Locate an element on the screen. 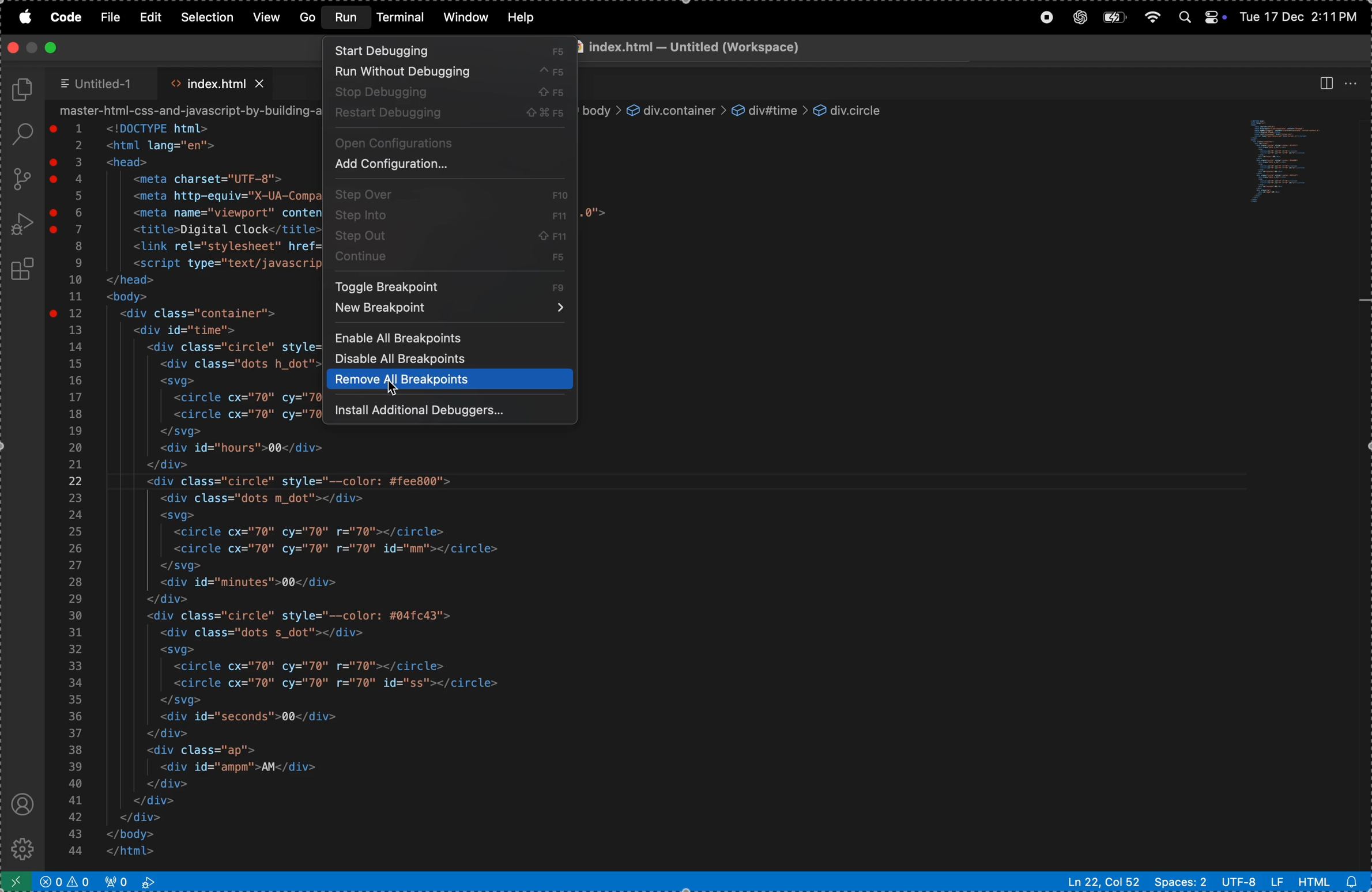  utf -8 lf is located at coordinates (1252, 882).